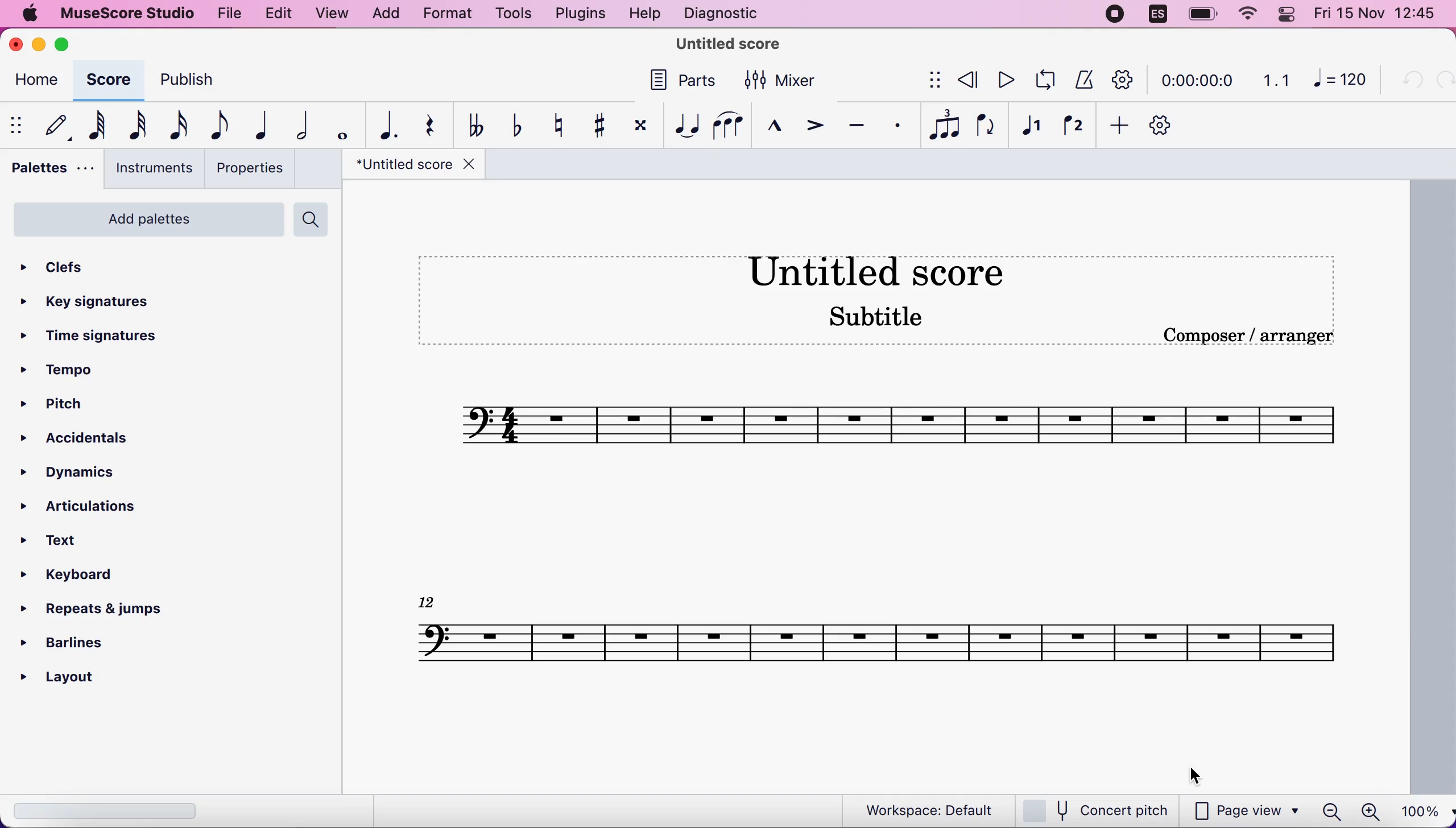  Describe the element at coordinates (78, 470) in the screenshot. I see `dynamics` at that location.